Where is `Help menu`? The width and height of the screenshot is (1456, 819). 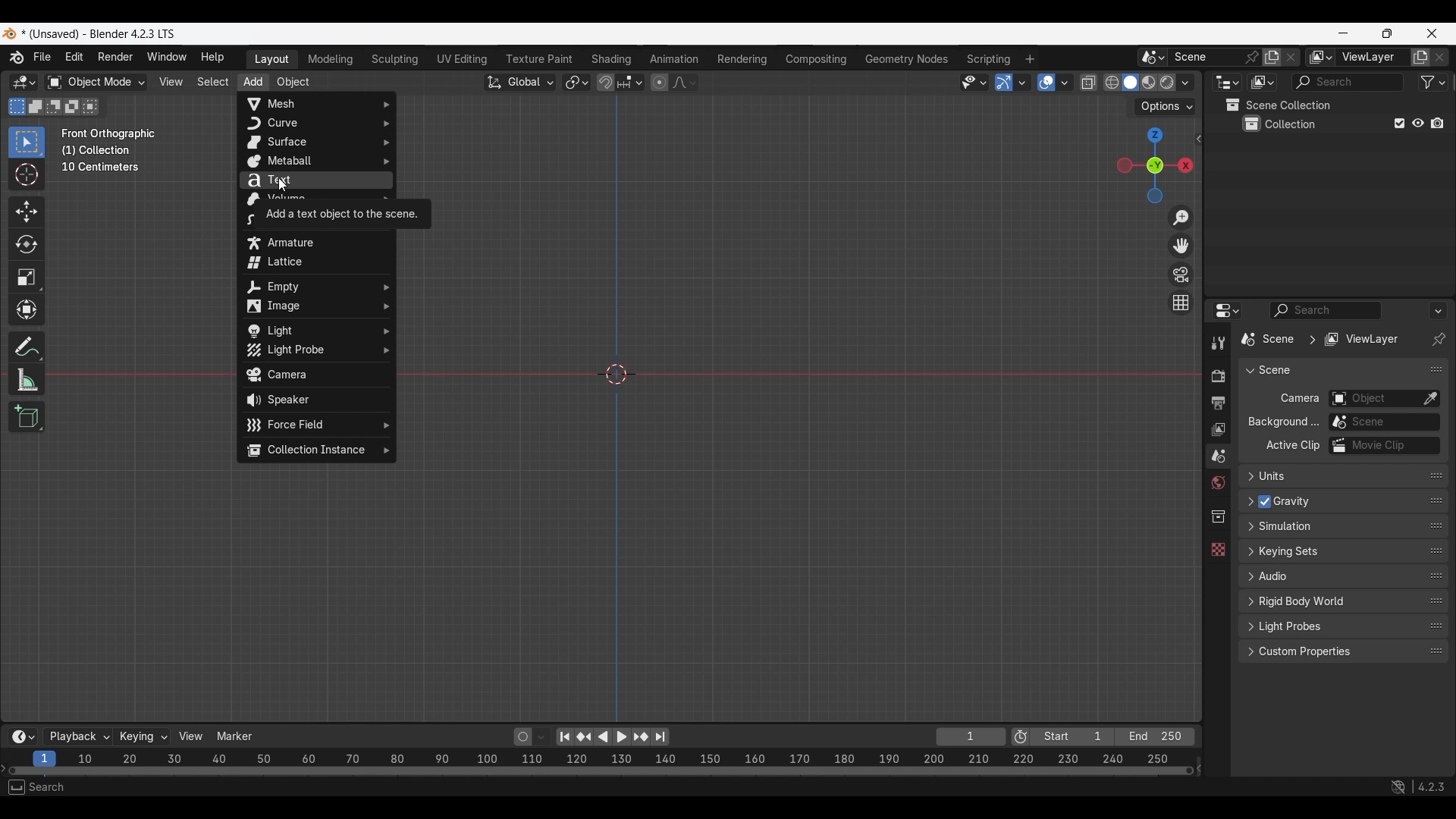
Help menu is located at coordinates (211, 58).